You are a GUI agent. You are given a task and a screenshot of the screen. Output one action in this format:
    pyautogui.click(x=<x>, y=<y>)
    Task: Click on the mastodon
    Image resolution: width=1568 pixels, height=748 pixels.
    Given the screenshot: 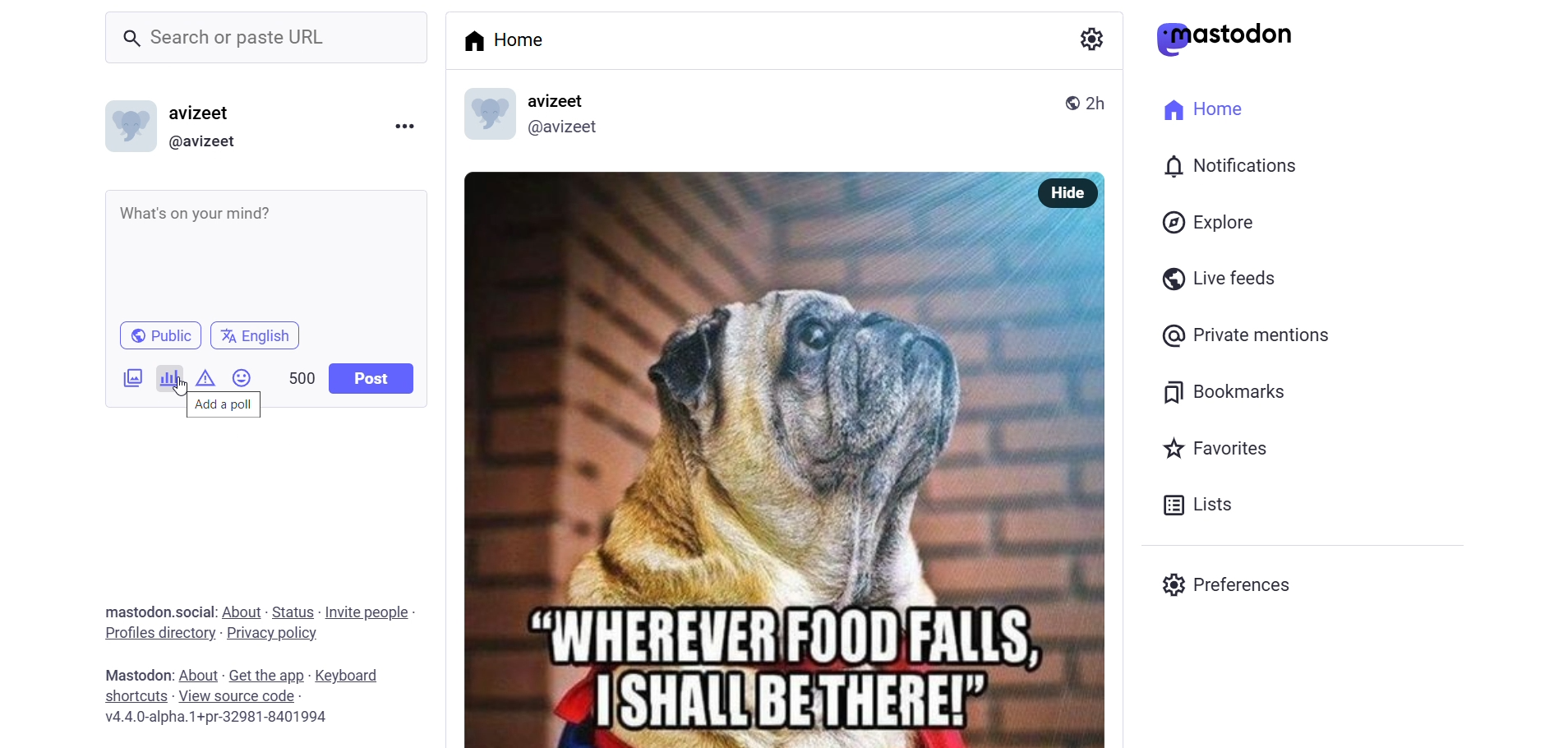 What is the action you would take?
    pyautogui.click(x=134, y=674)
    